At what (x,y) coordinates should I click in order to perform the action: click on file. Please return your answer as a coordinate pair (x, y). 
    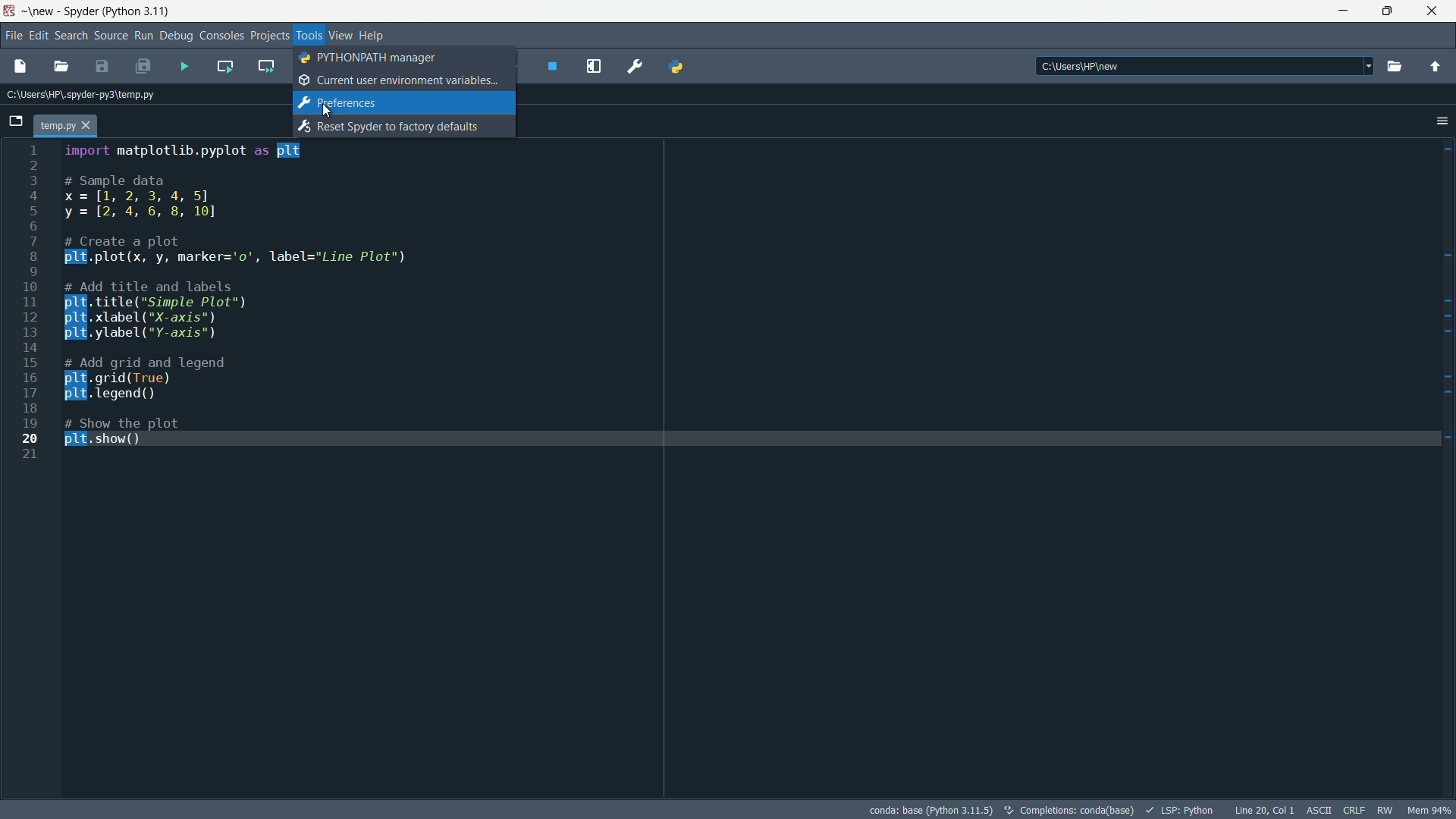
    Looking at the image, I should click on (12, 36).